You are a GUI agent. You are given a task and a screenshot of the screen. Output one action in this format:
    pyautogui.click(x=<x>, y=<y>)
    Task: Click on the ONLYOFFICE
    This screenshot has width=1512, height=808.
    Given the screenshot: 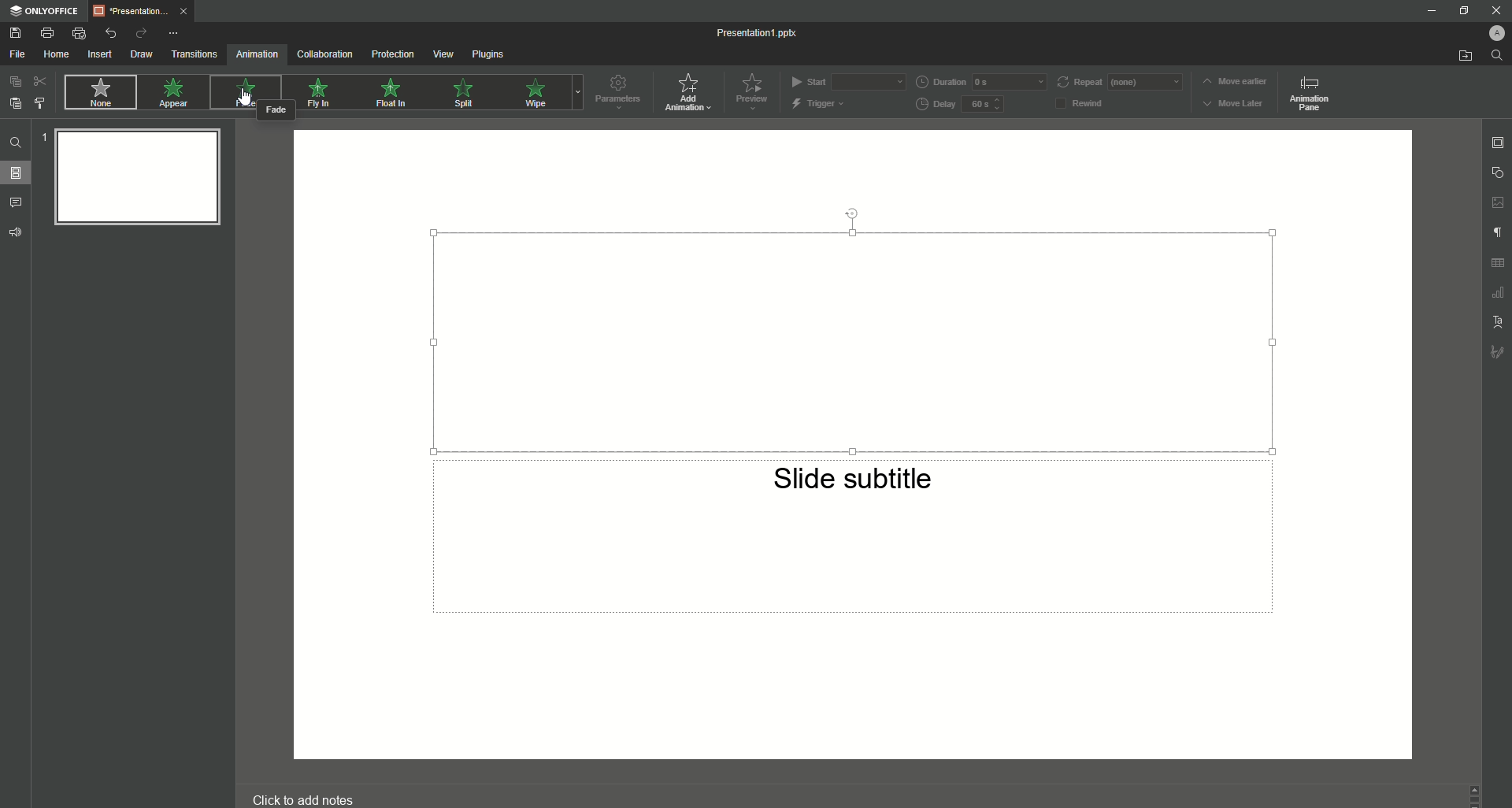 What is the action you would take?
    pyautogui.click(x=43, y=11)
    